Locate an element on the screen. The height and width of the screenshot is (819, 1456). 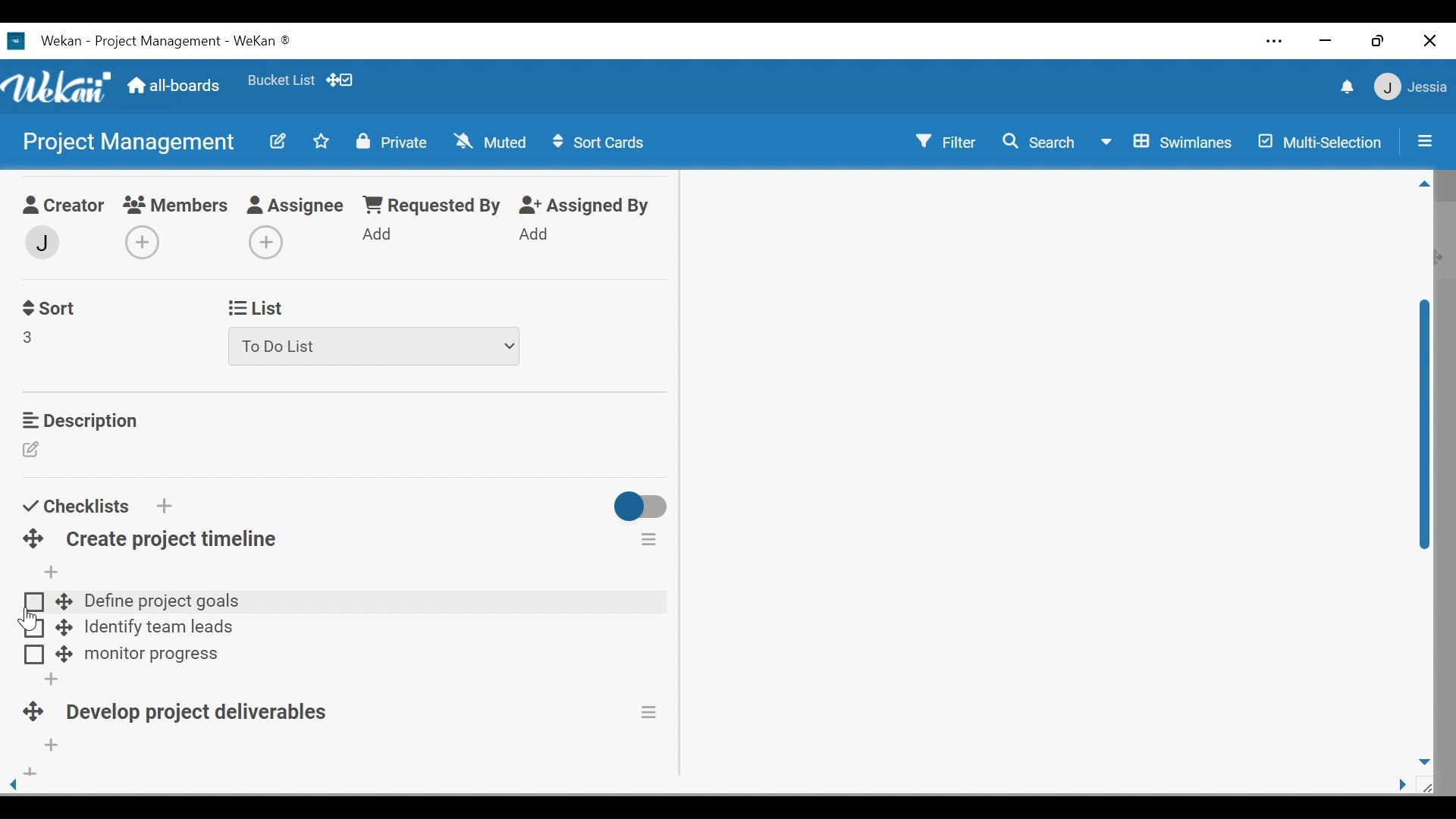
Board name is located at coordinates (127, 141).